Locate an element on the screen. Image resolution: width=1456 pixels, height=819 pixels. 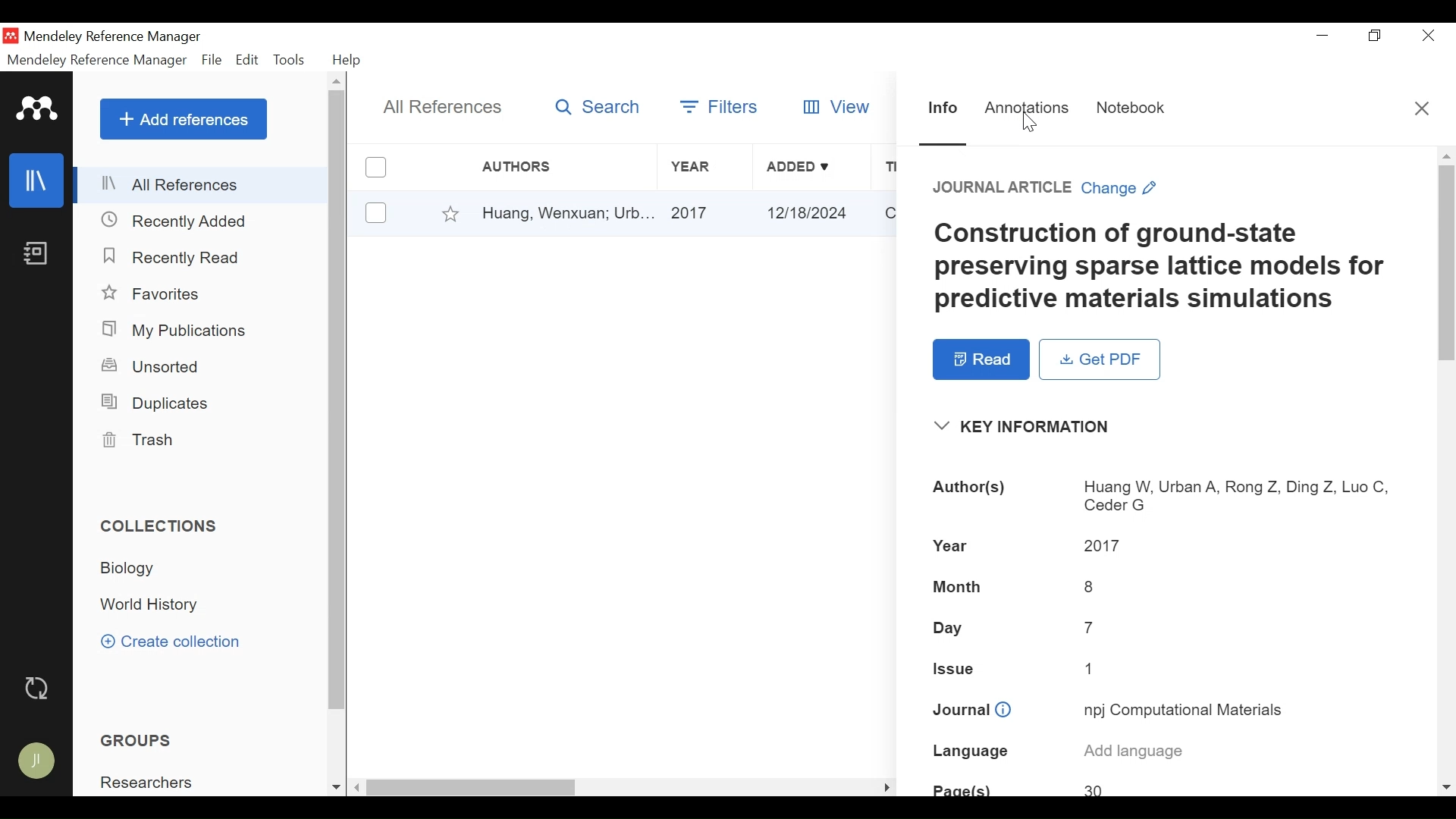
Recently Read is located at coordinates (168, 256).